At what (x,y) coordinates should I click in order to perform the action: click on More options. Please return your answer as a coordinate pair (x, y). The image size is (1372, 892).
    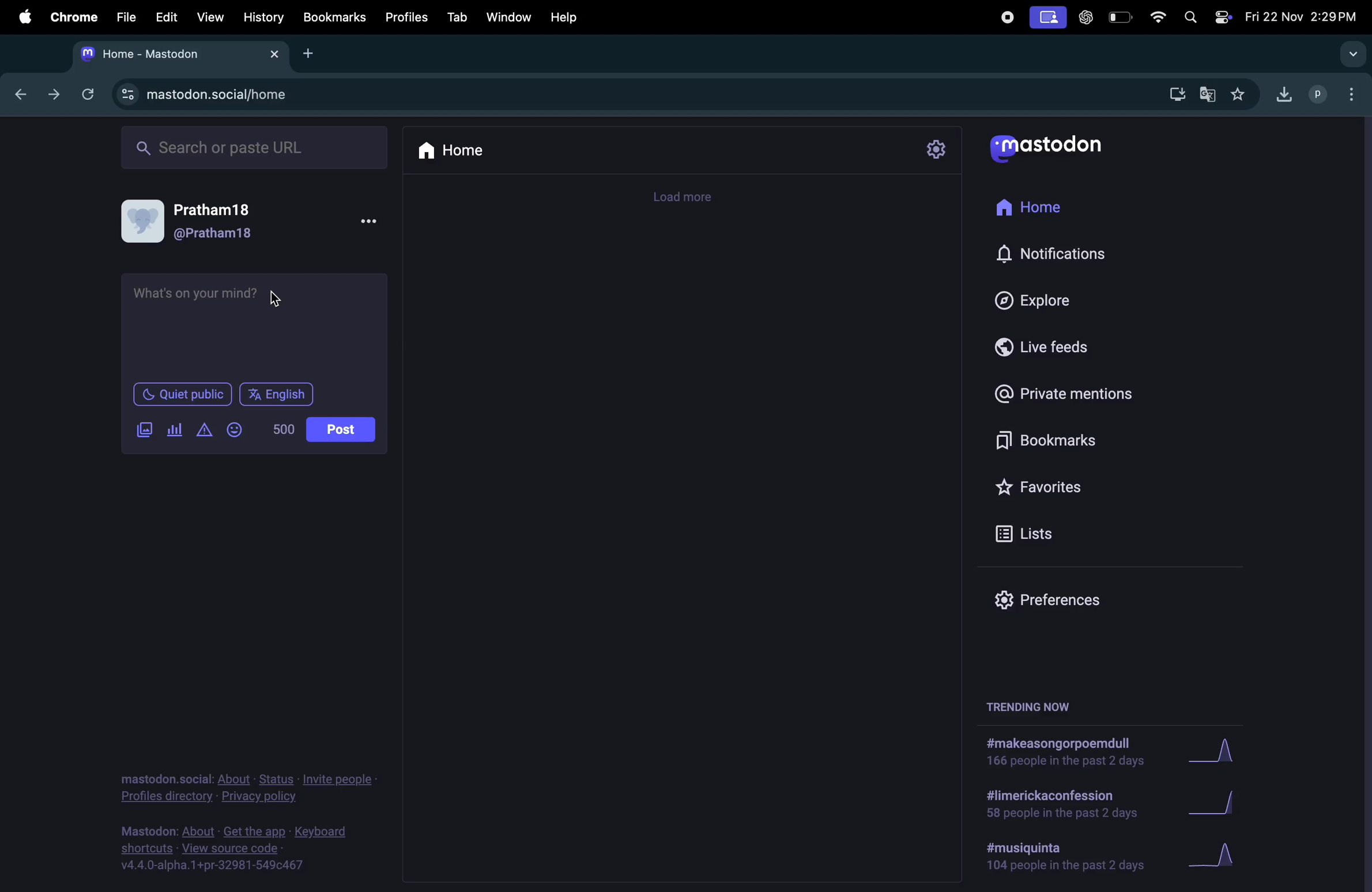
    Looking at the image, I should click on (374, 224).